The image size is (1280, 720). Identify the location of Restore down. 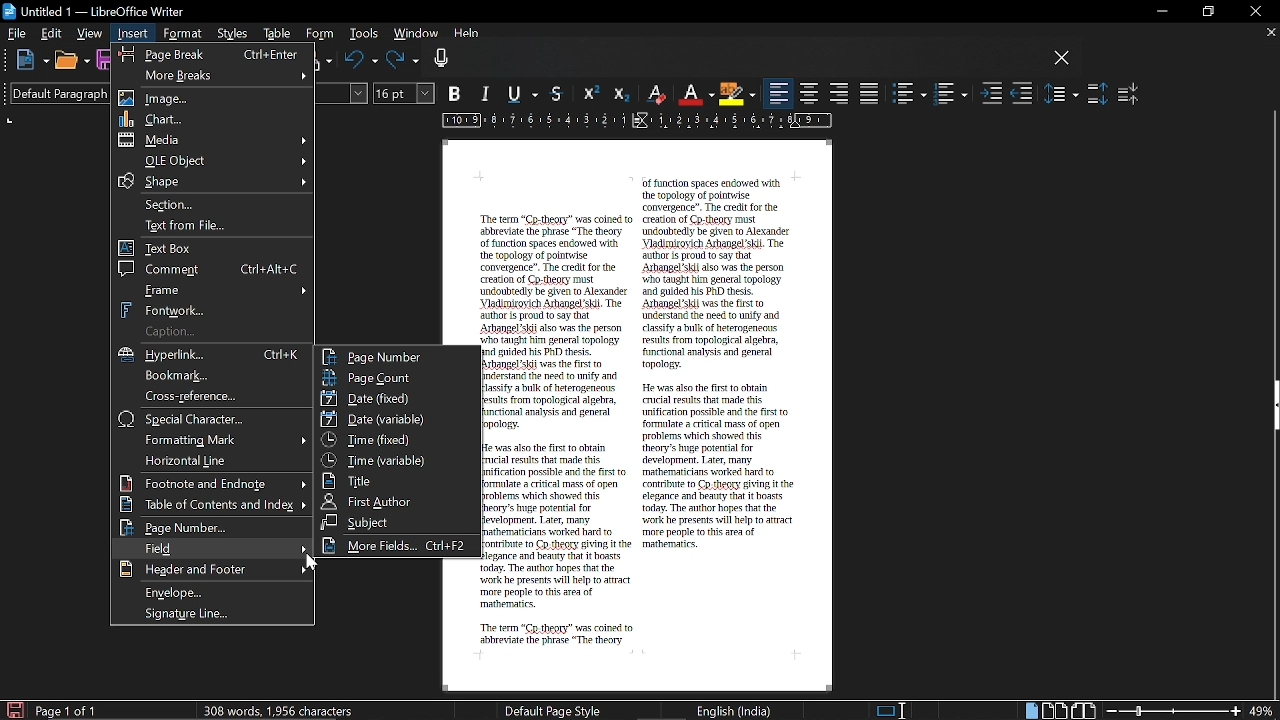
(1206, 12).